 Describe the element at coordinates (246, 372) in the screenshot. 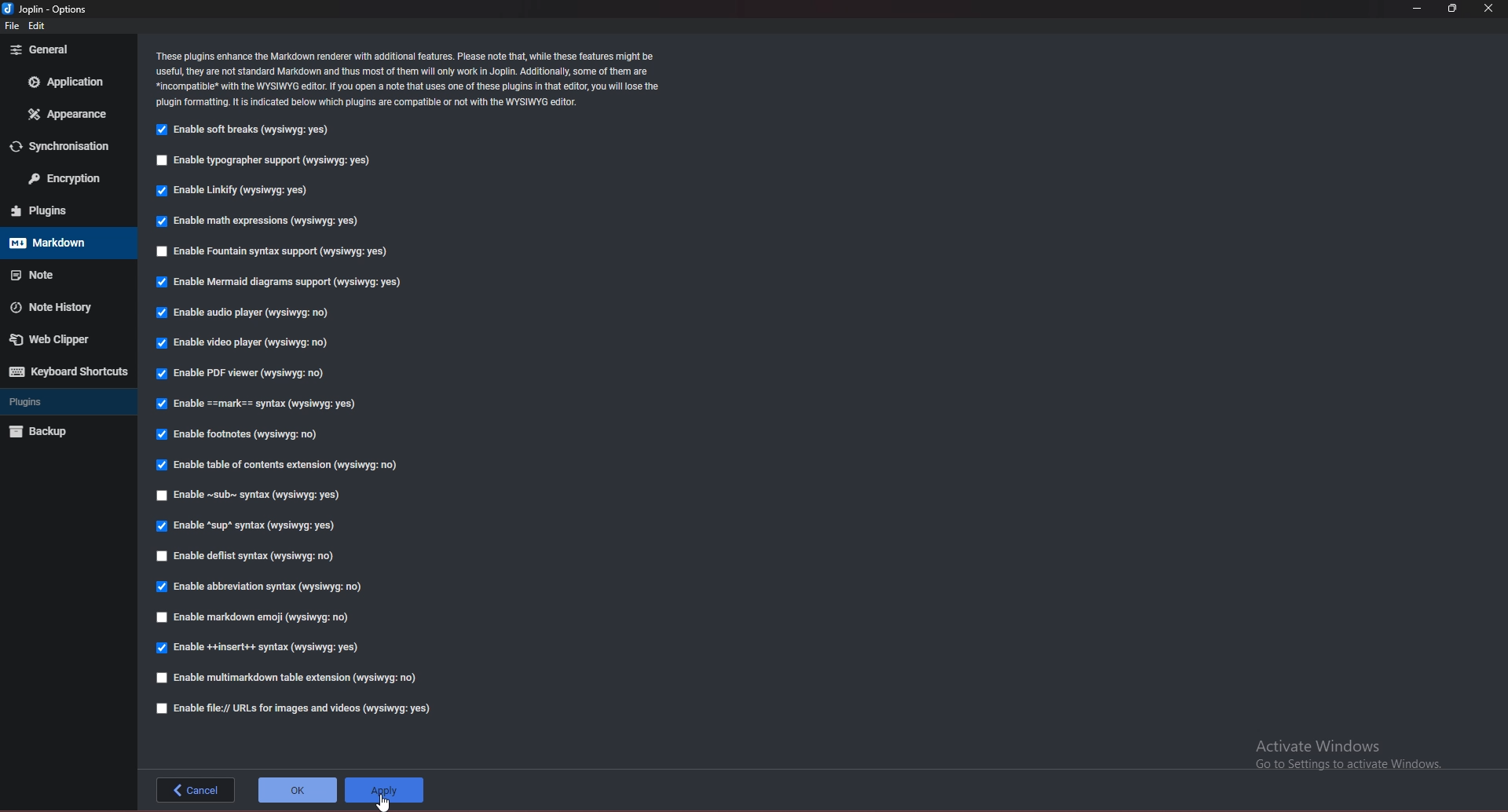

I see `enable pdf viewer` at that location.